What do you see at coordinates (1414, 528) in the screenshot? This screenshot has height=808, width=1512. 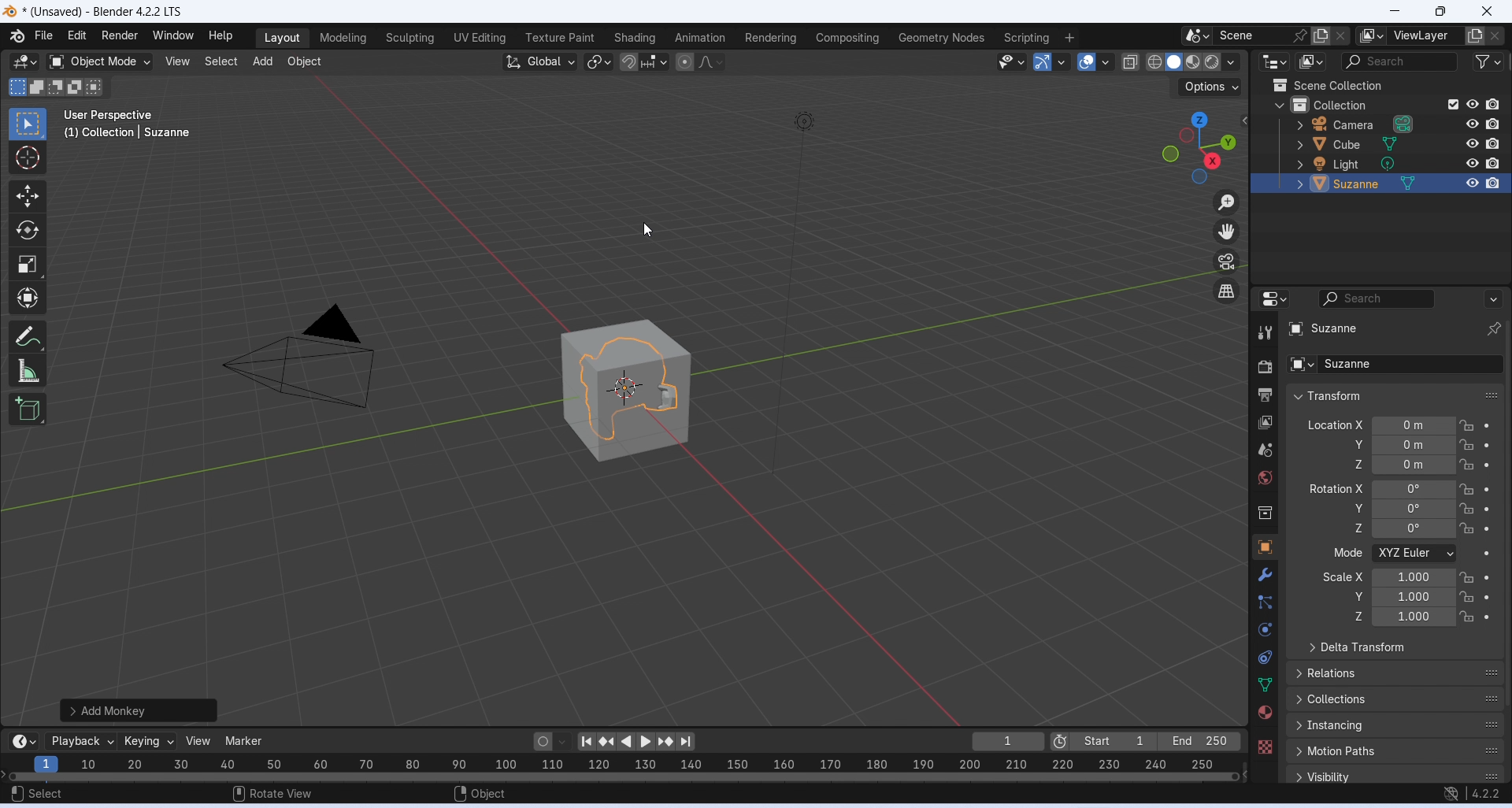 I see `euler rotation` at bounding box center [1414, 528].